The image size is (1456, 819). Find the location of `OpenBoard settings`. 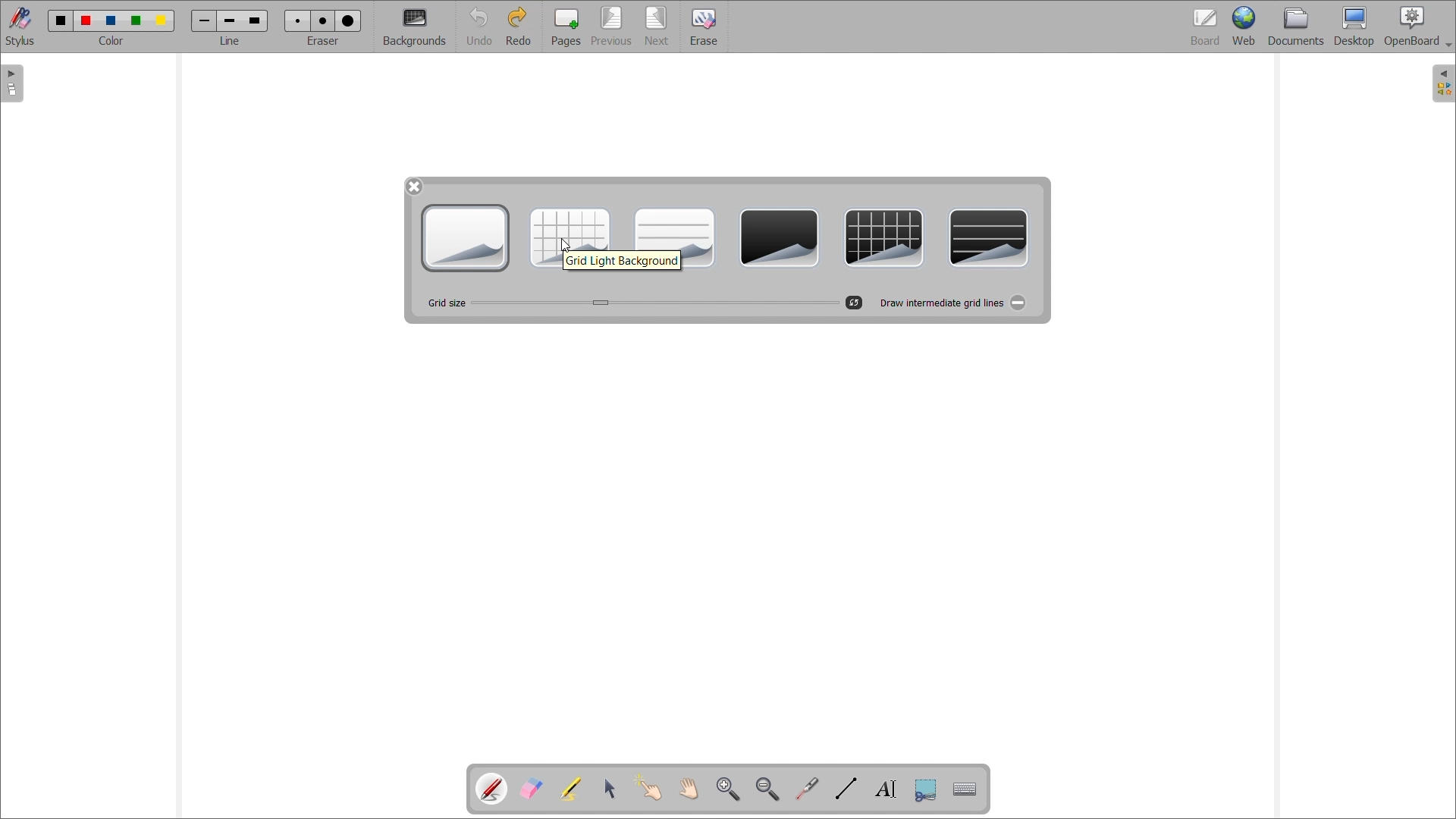

OpenBoard settings is located at coordinates (1418, 27).